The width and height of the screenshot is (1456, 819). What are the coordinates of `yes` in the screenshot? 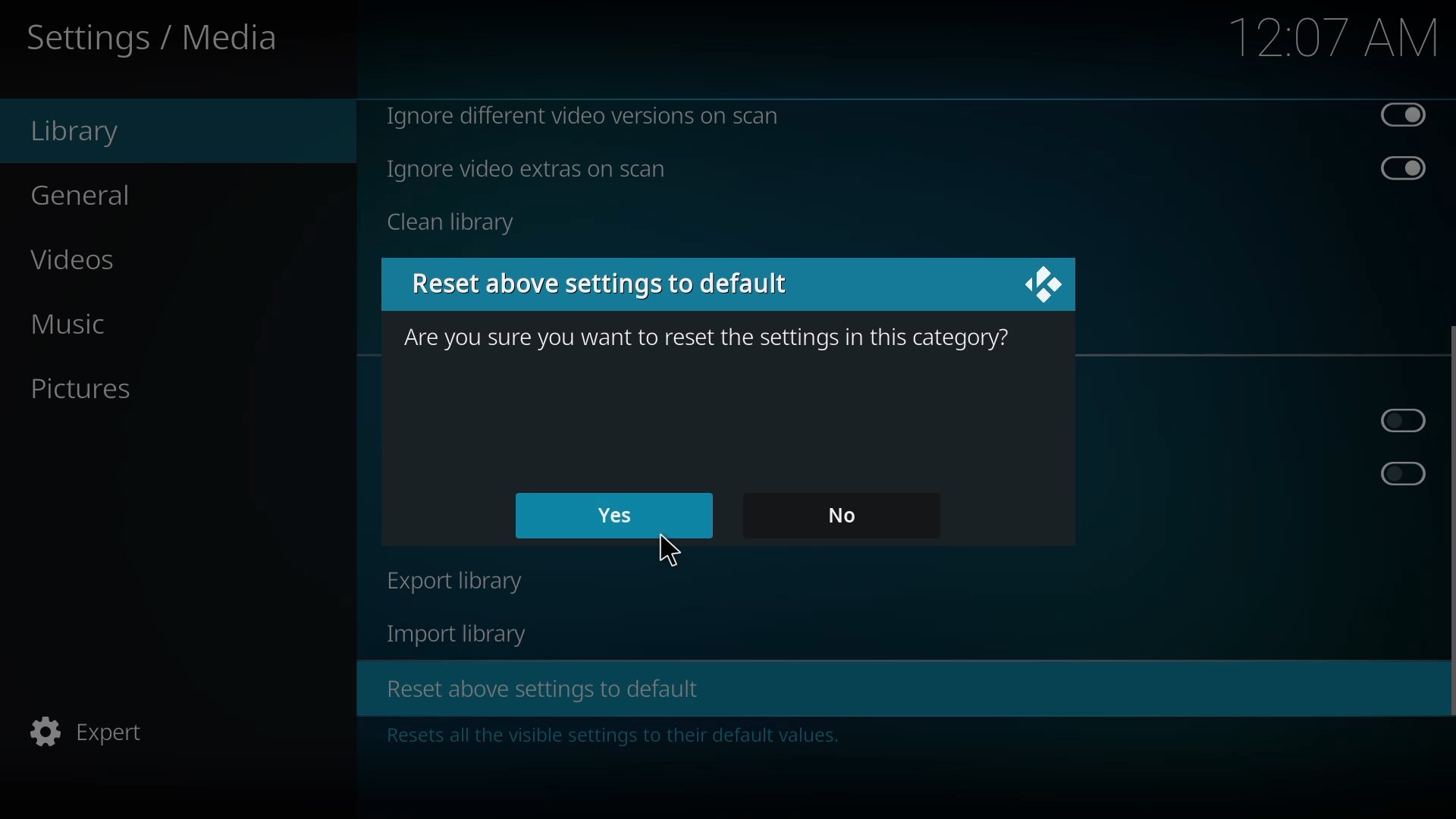 It's located at (615, 516).